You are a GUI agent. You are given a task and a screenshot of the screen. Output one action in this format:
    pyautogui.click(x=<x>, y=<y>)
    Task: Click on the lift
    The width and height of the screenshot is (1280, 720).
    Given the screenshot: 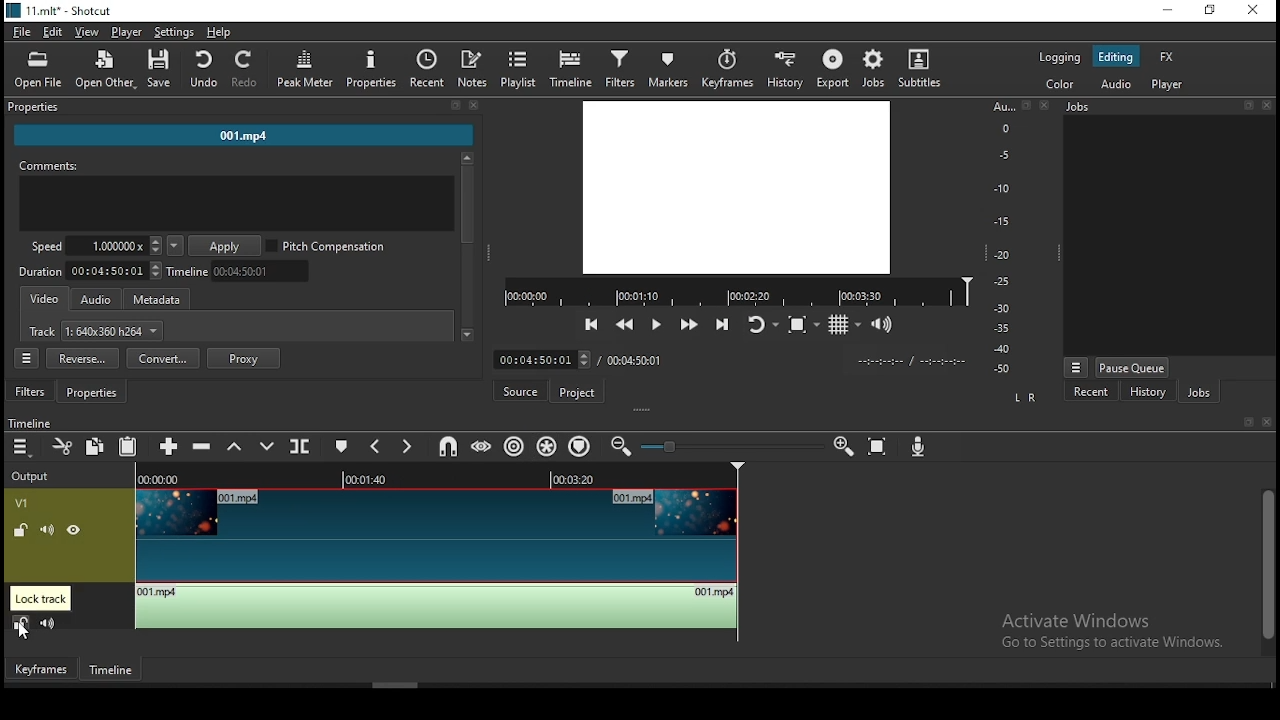 What is the action you would take?
    pyautogui.click(x=236, y=446)
    